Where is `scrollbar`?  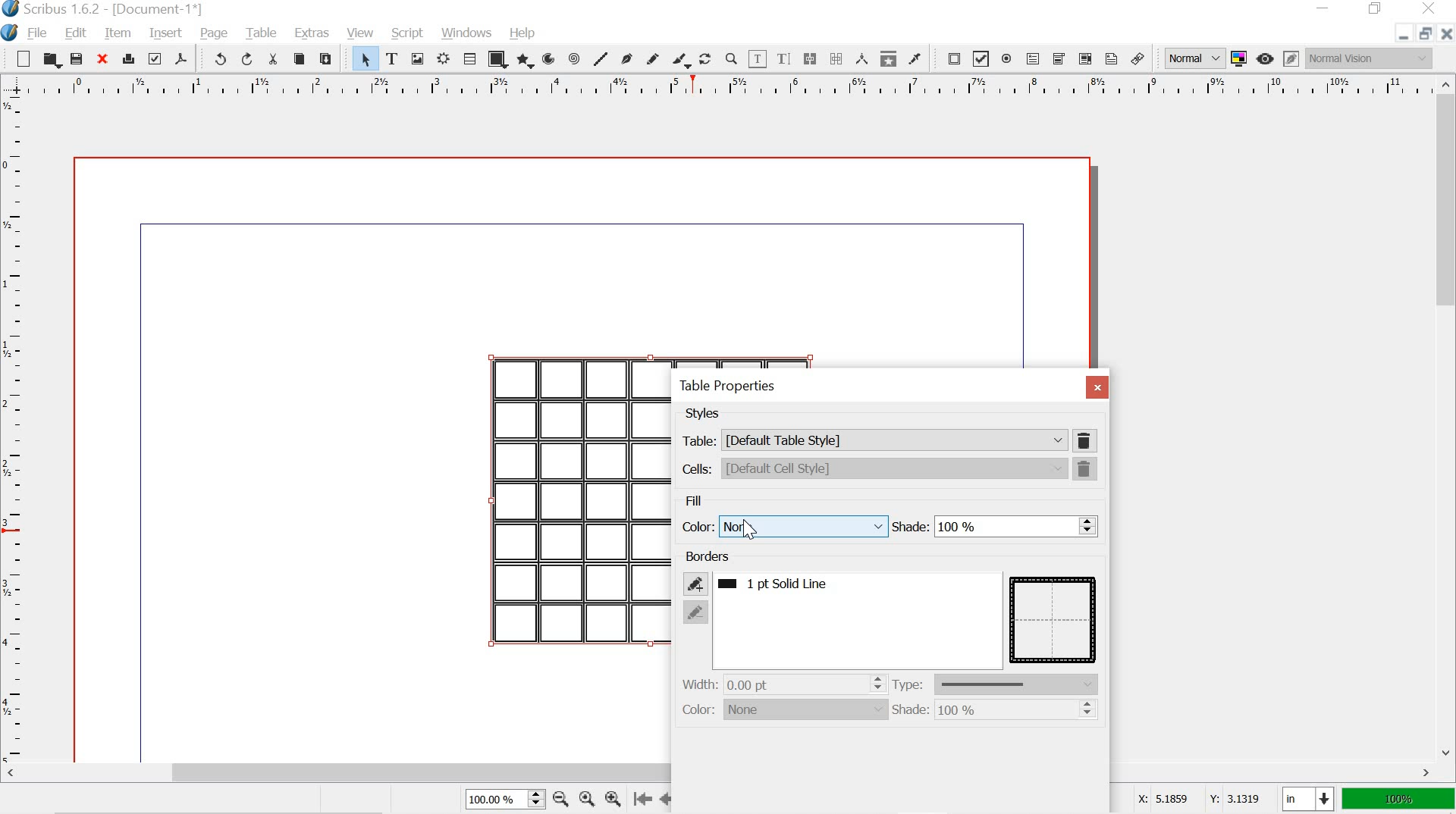 scrollbar is located at coordinates (1447, 416).